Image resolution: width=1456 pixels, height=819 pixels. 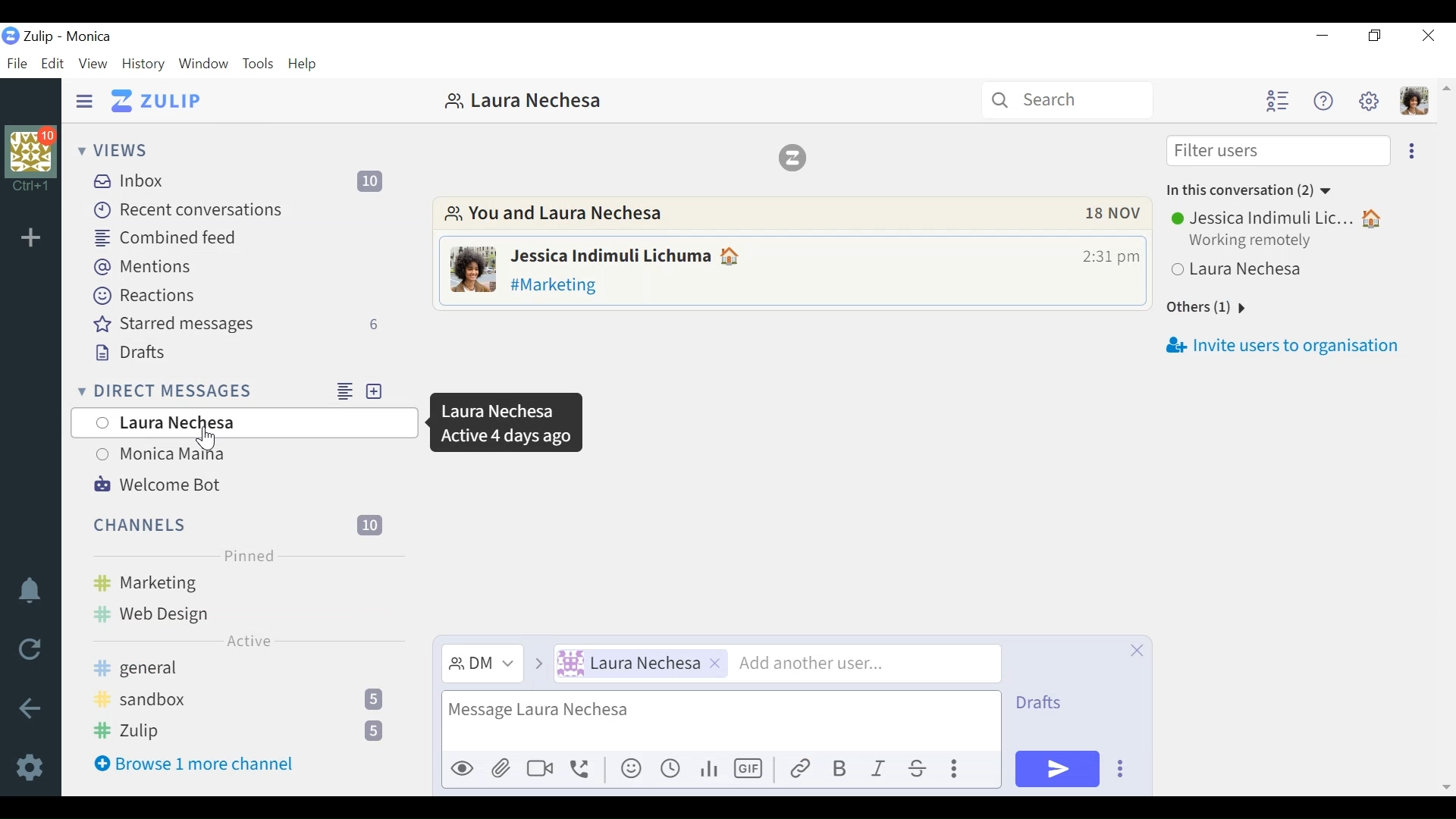 What do you see at coordinates (1037, 704) in the screenshot?
I see `Drafts` at bounding box center [1037, 704].